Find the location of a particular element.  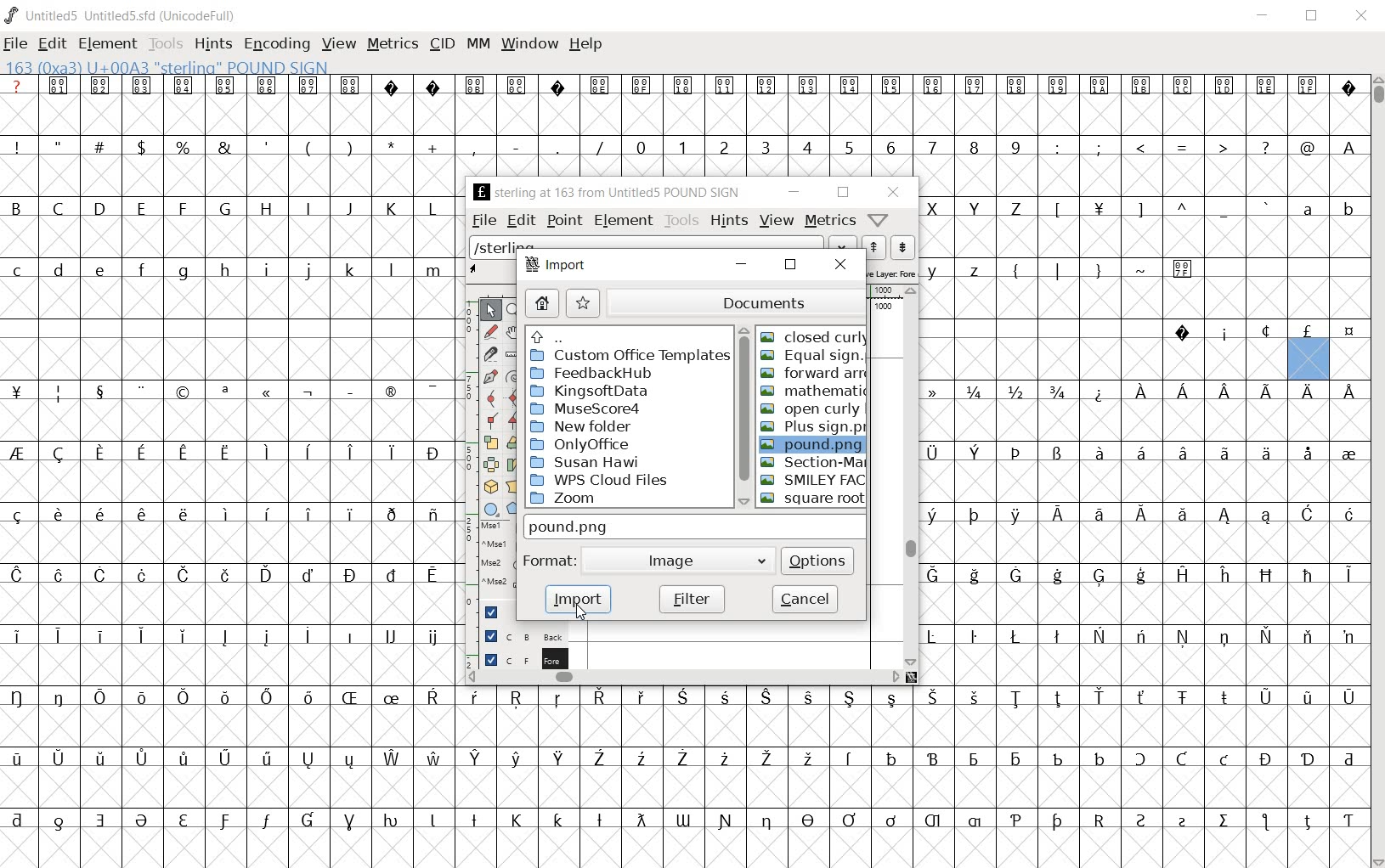

Symbol is located at coordinates (349, 634).